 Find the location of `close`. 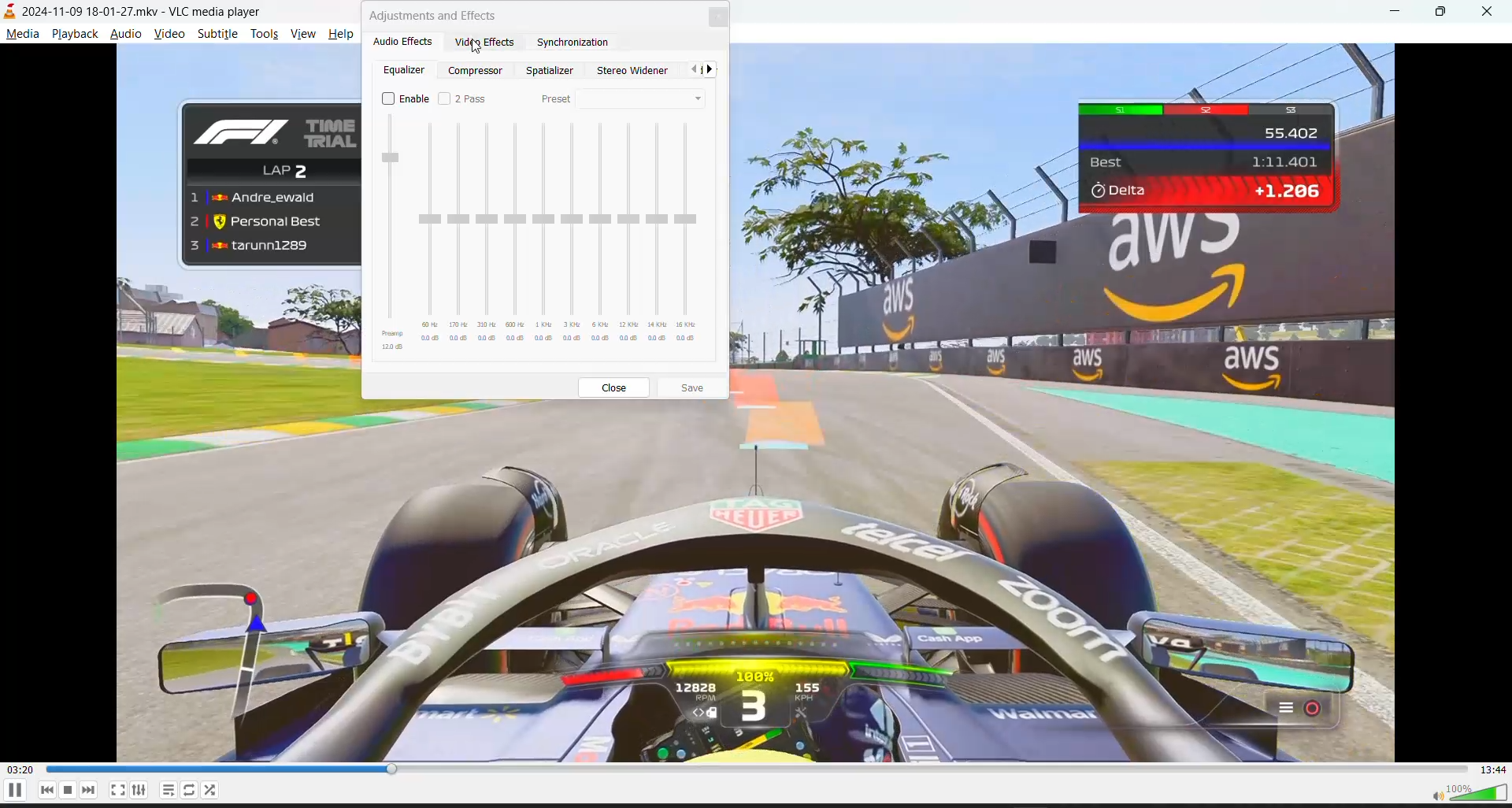

close is located at coordinates (1490, 9).